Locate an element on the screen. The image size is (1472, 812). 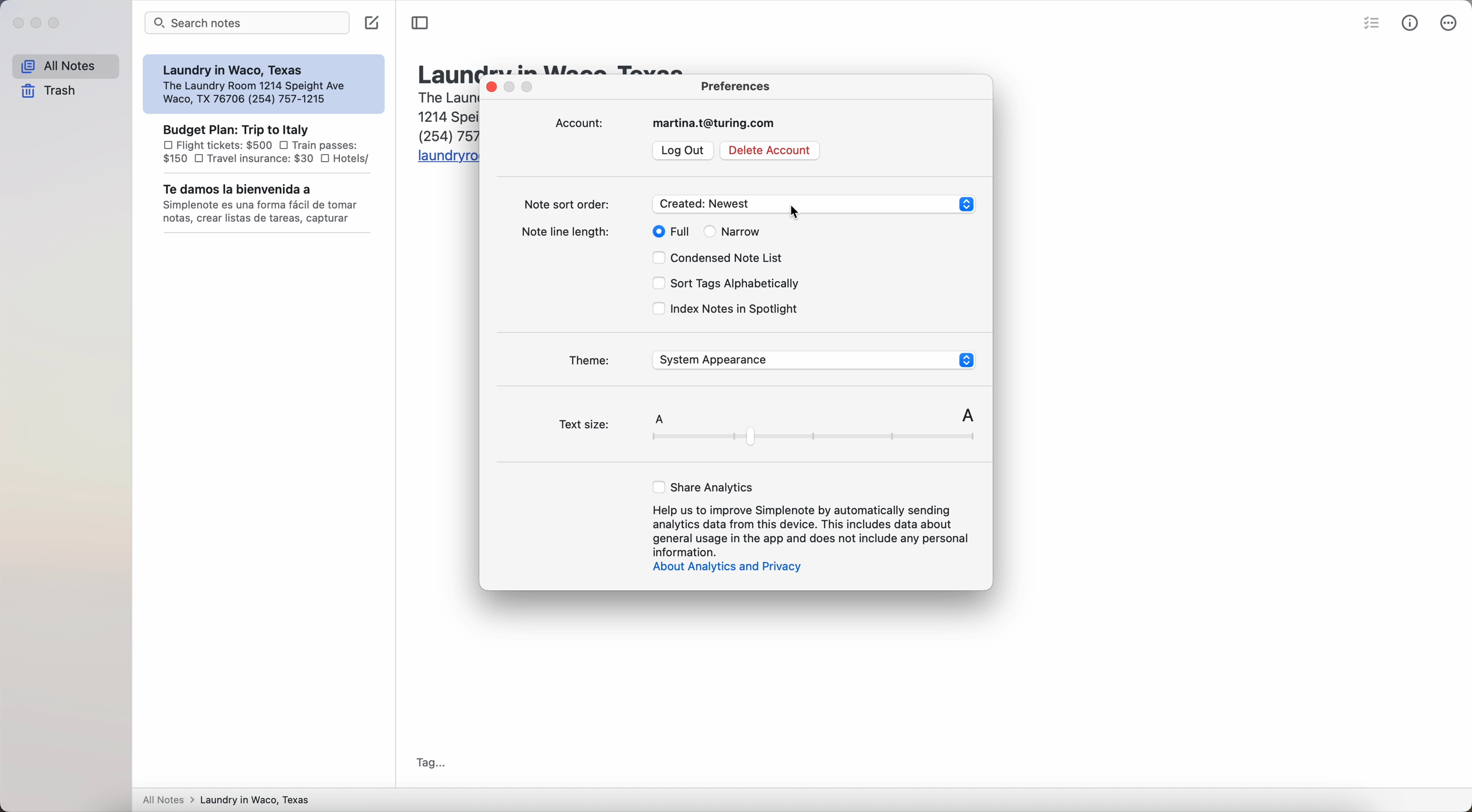
close pop-up is located at coordinates (493, 86).